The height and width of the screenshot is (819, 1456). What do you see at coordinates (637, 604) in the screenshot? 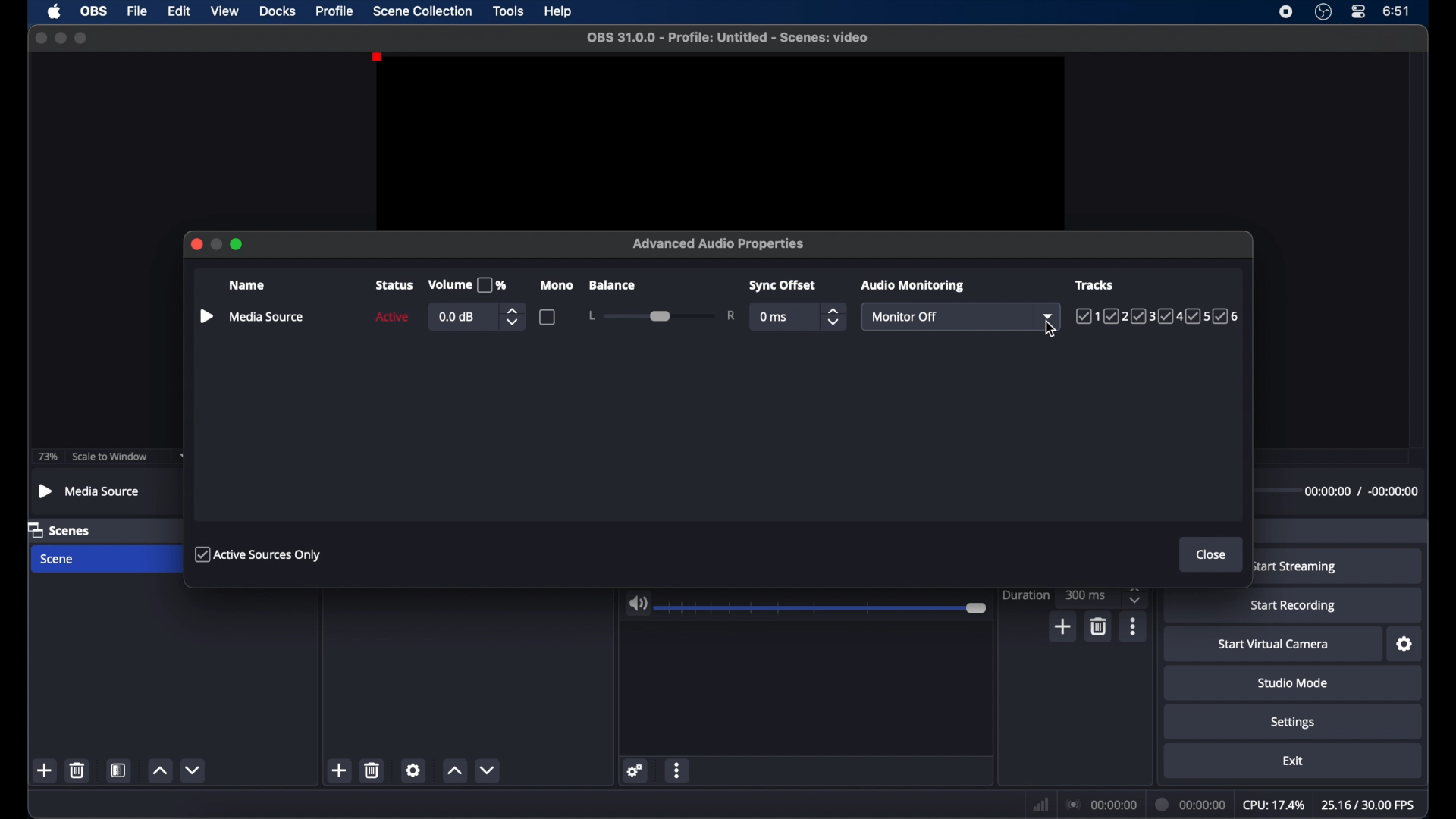
I see `volume` at bounding box center [637, 604].